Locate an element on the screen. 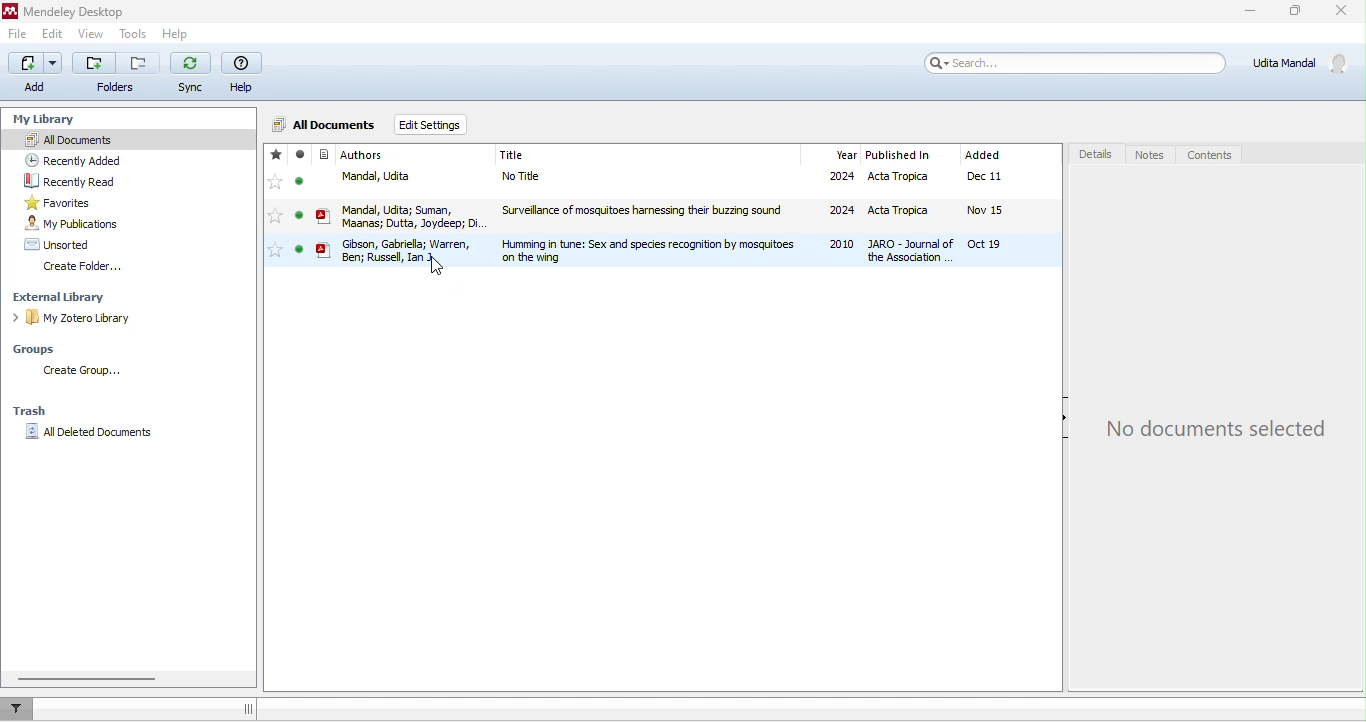 This screenshot has height=722, width=1366. my library is located at coordinates (55, 117).